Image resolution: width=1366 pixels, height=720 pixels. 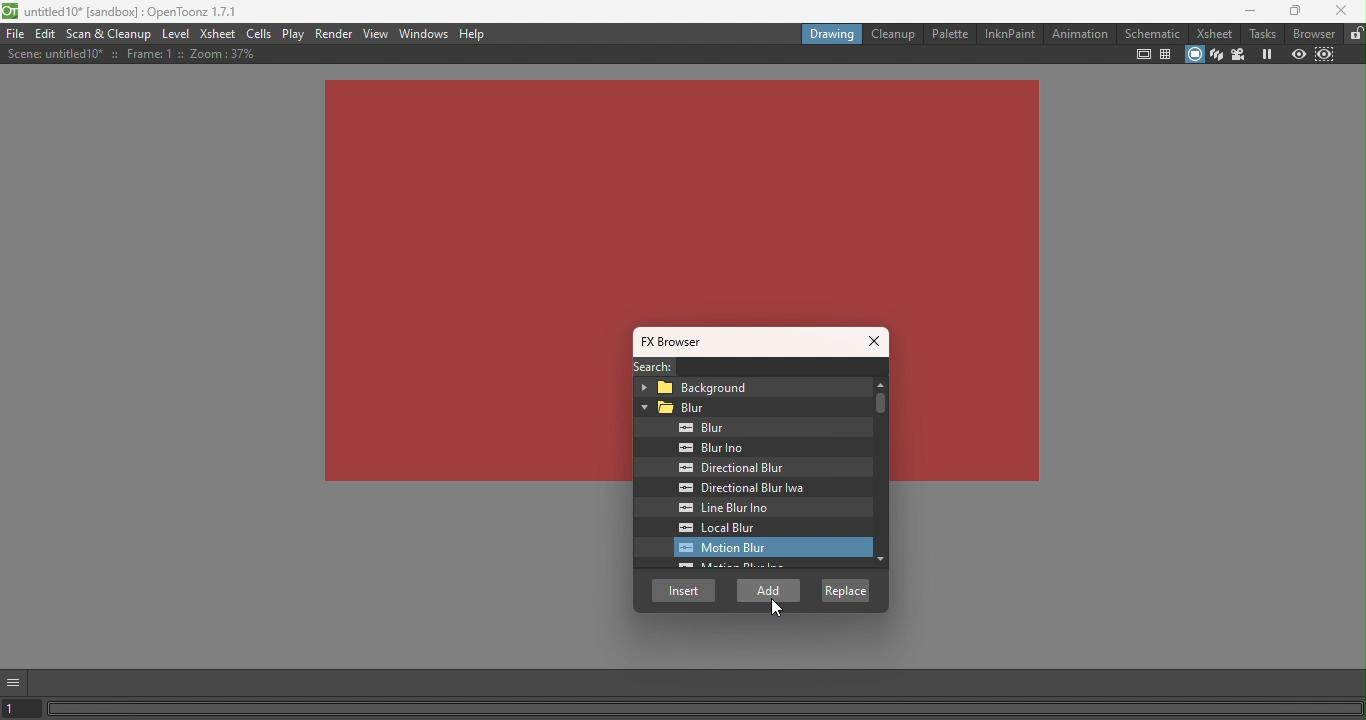 I want to click on InknPaint, so click(x=1010, y=33).